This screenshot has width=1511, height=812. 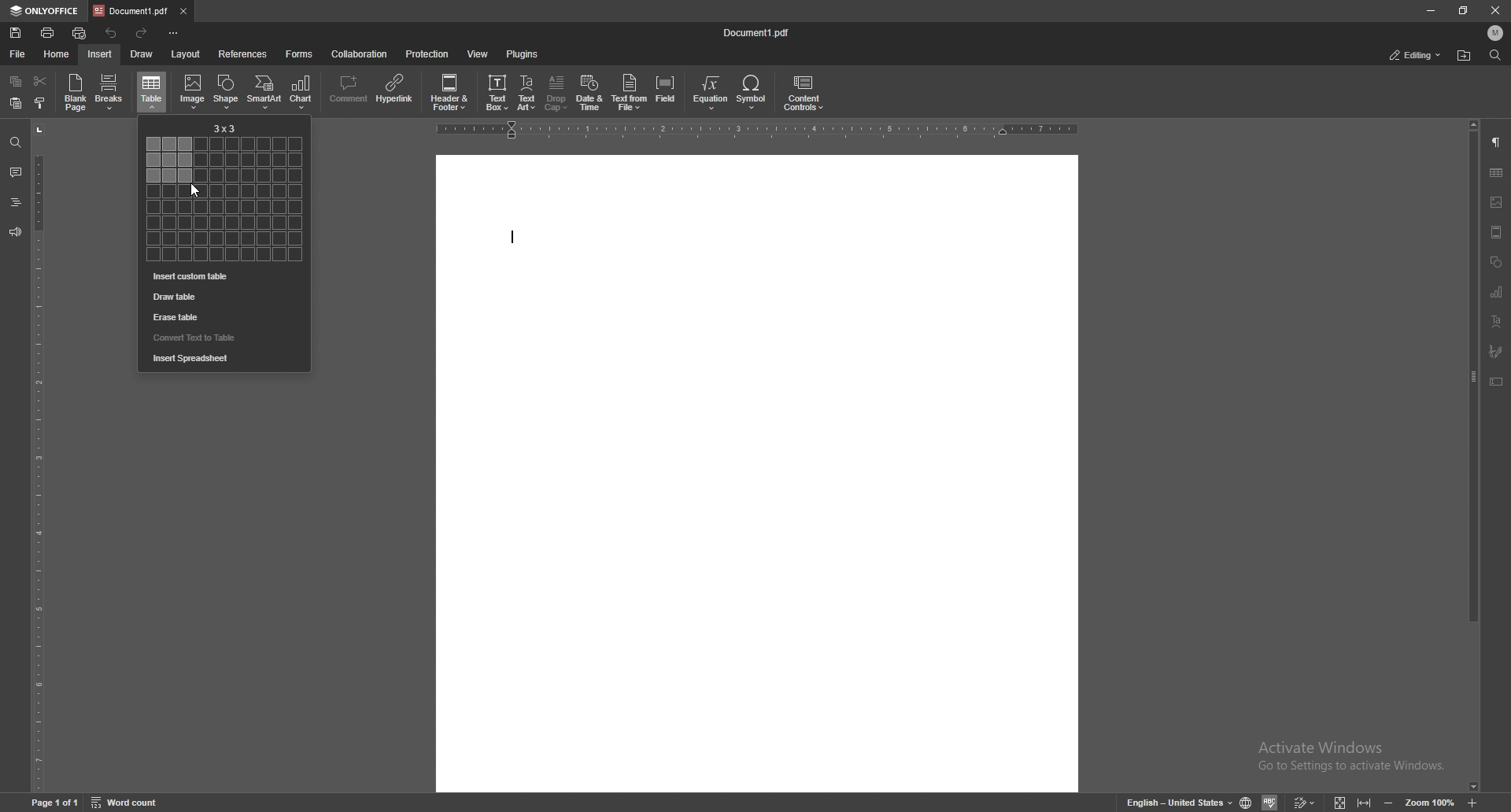 What do you see at coordinates (17, 54) in the screenshot?
I see `file` at bounding box center [17, 54].